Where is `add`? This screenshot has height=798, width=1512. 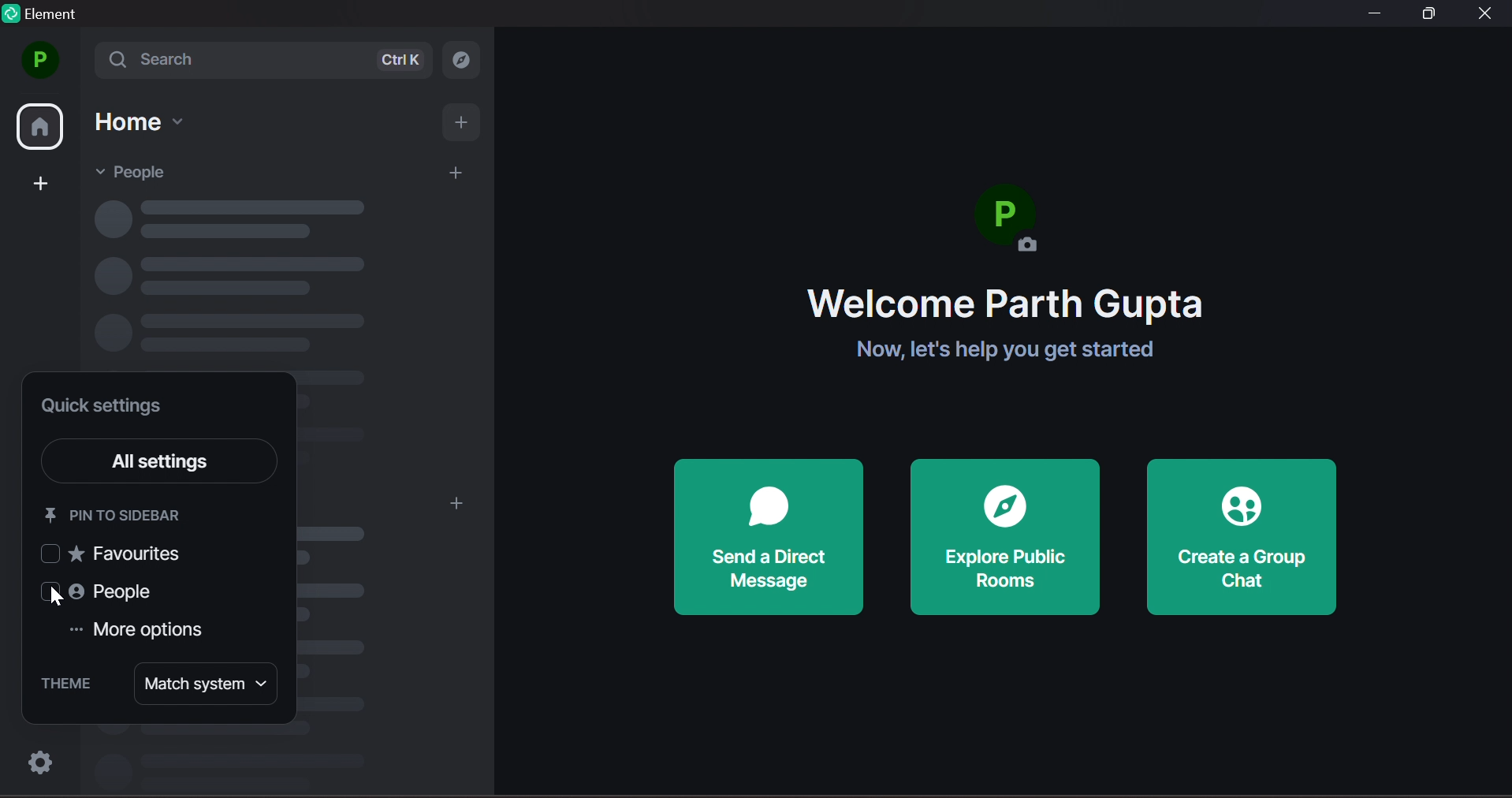 add is located at coordinates (457, 174).